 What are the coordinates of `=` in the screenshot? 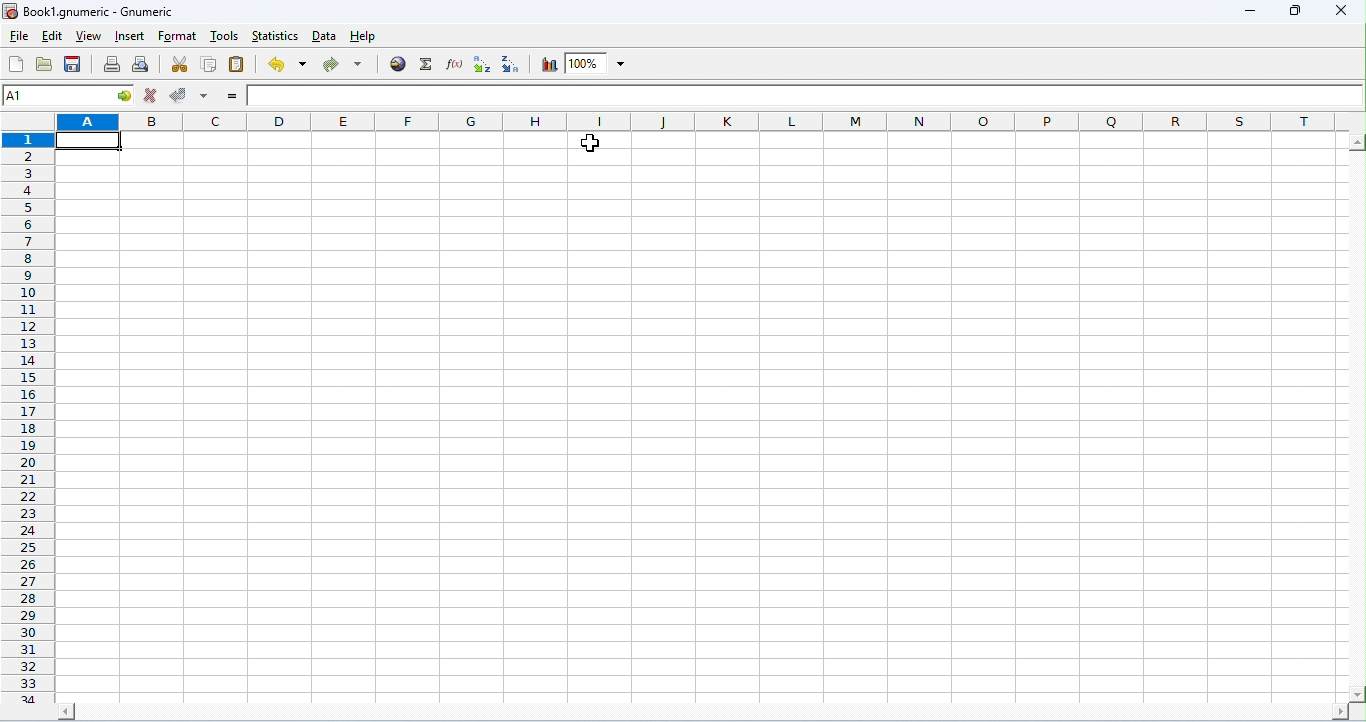 It's located at (232, 96).